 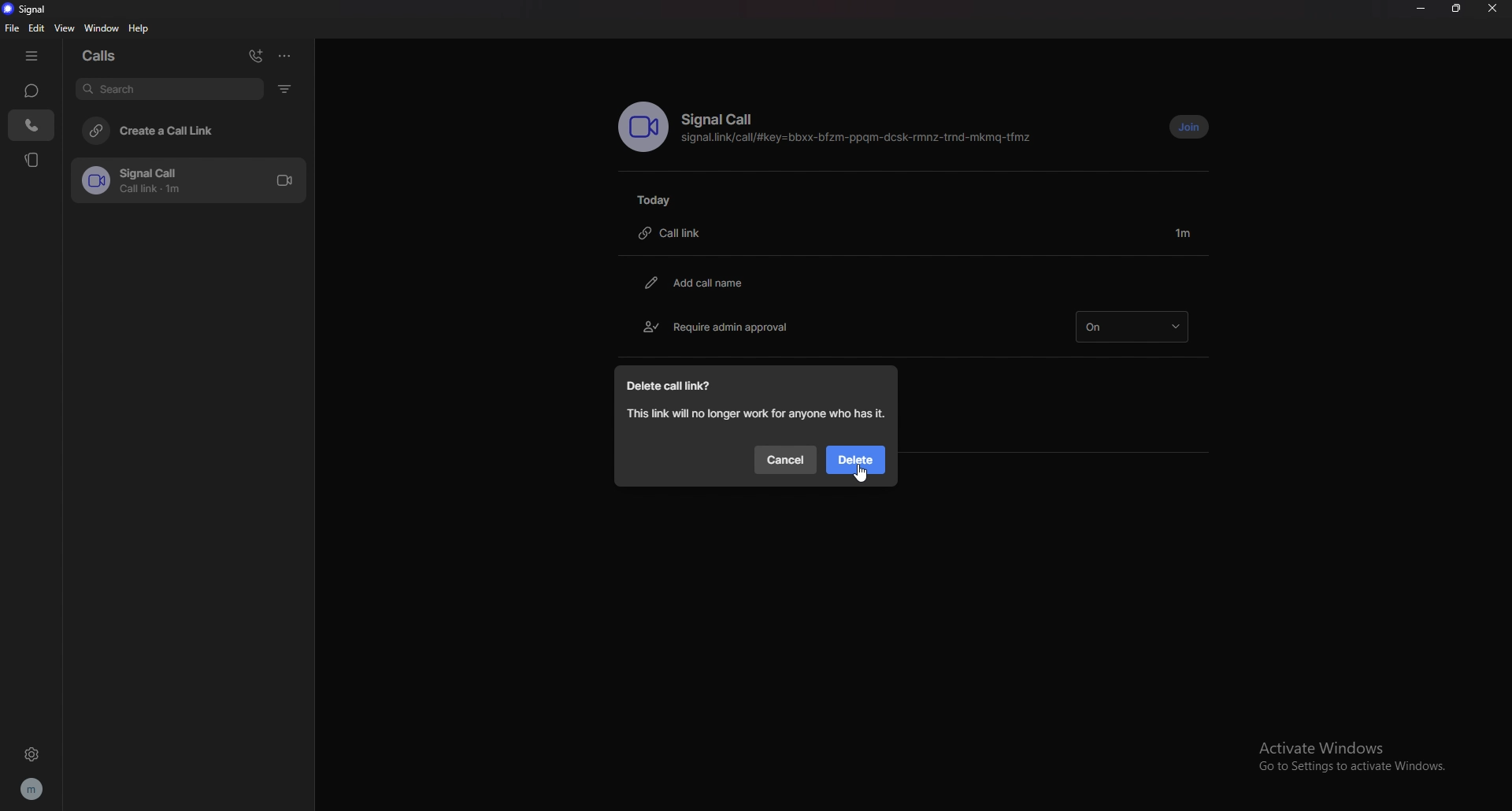 What do you see at coordinates (658, 199) in the screenshot?
I see `today` at bounding box center [658, 199].